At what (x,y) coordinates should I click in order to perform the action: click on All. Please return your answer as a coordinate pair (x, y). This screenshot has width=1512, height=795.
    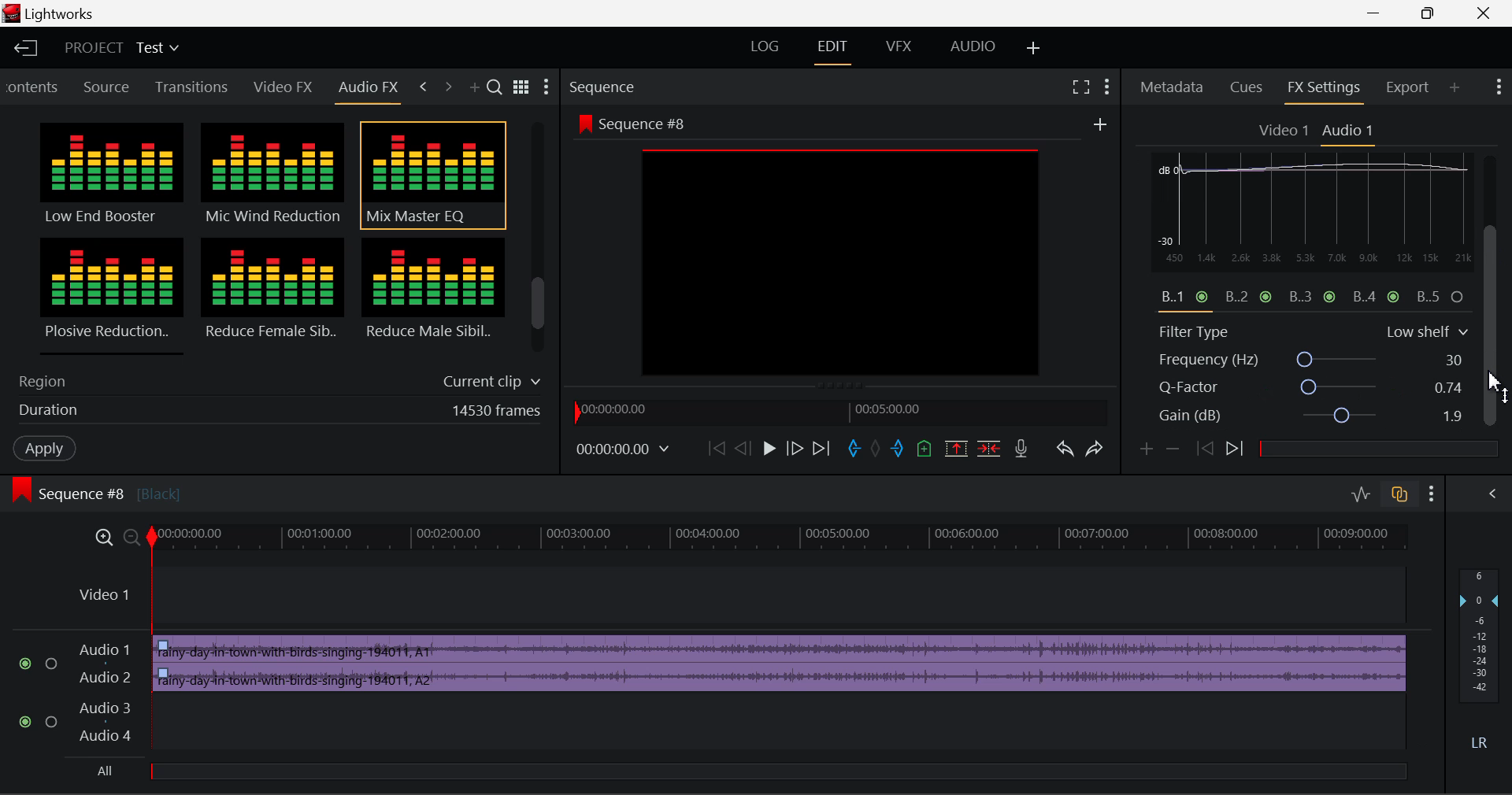
    Looking at the image, I should click on (113, 770).